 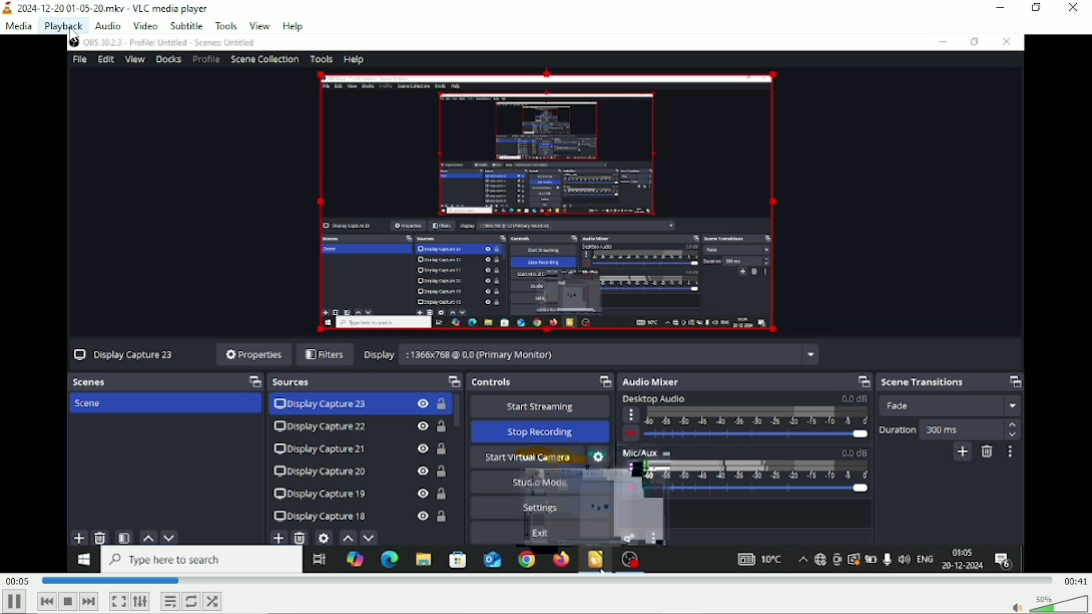 I want to click on Elapsed time, so click(x=18, y=579).